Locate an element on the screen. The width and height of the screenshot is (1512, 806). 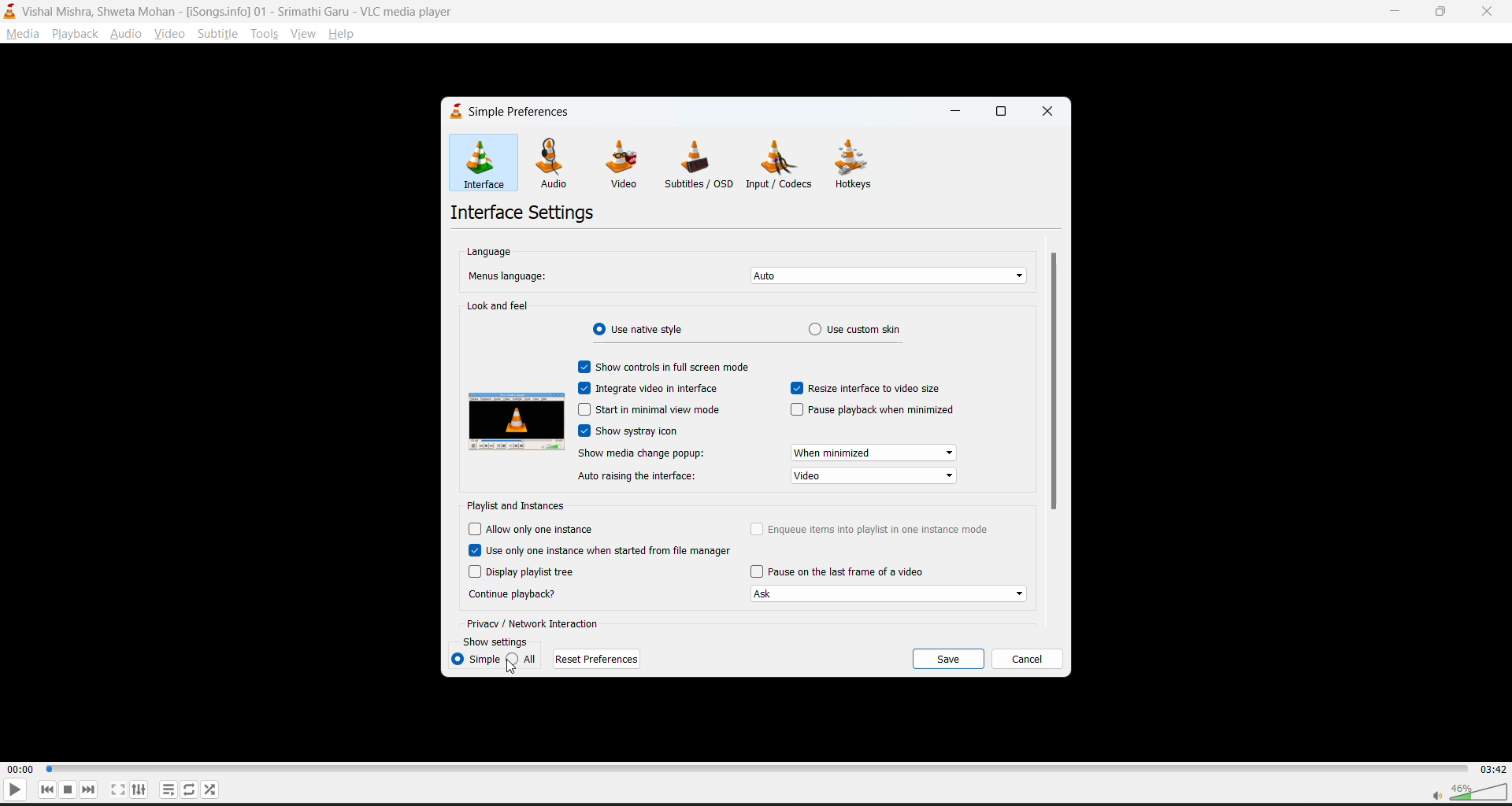
subtitles/ocd is located at coordinates (702, 165).